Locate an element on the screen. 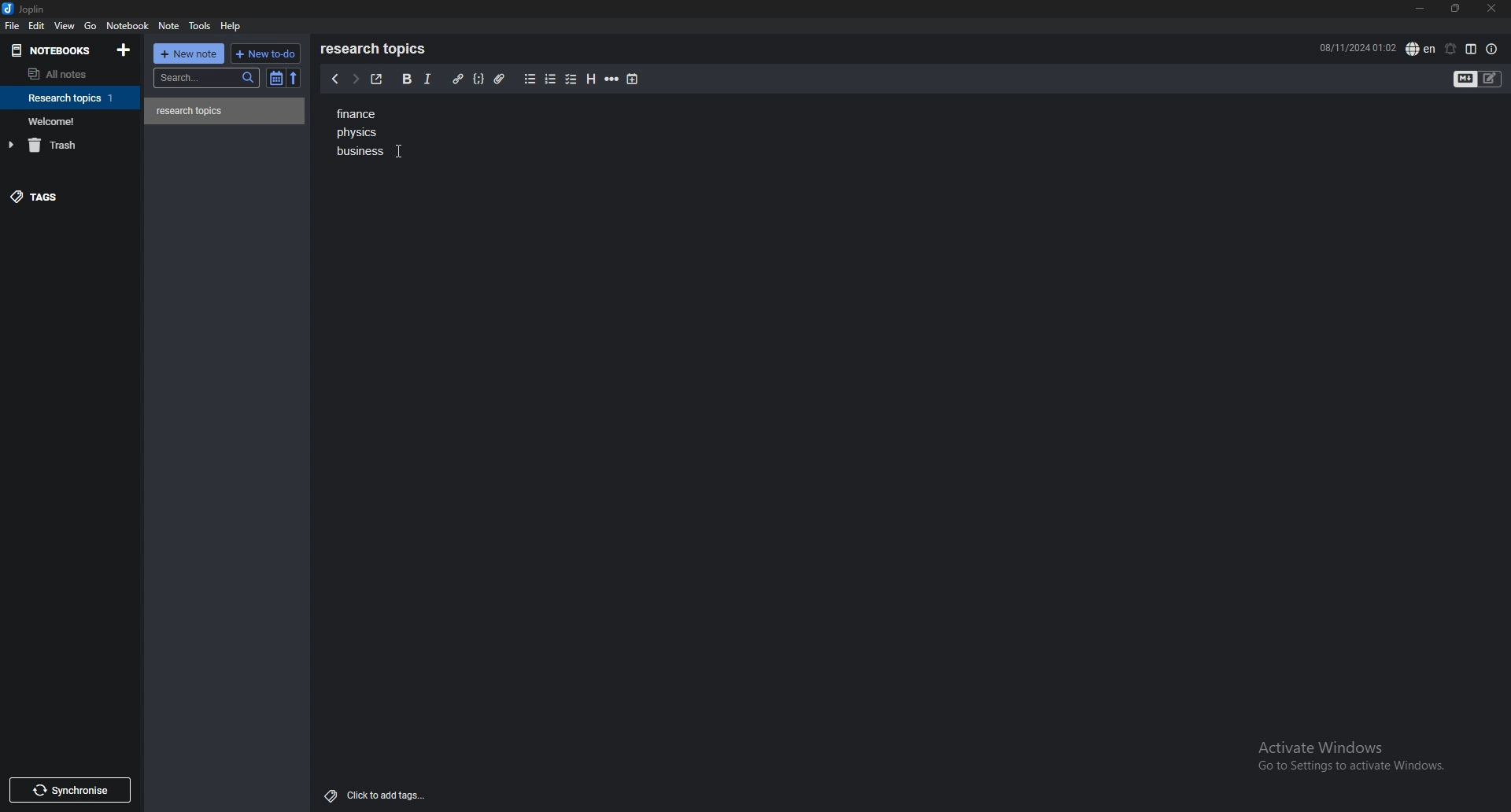 This screenshot has height=812, width=1511. numbered list is located at coordinates (551, 79).